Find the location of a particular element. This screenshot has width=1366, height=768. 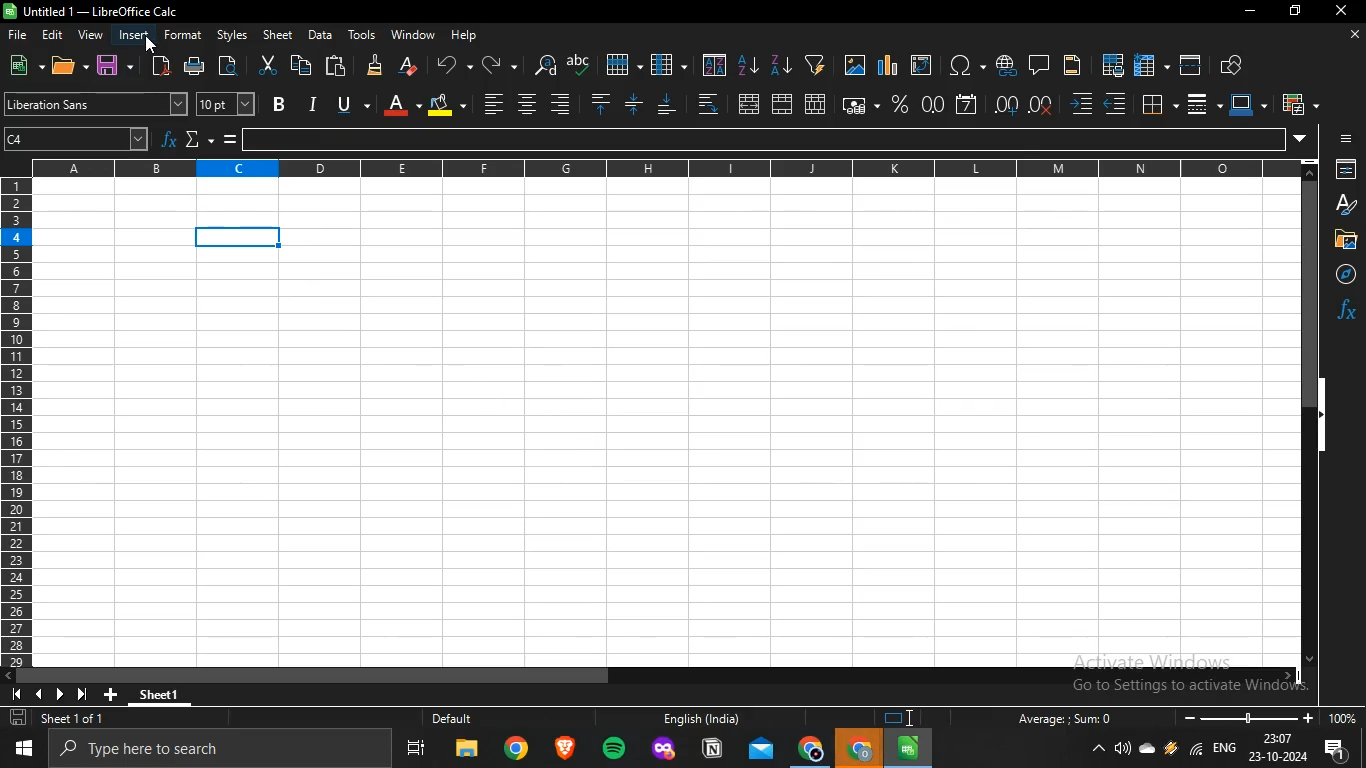

date and time is located at coordinates (1277, 749).